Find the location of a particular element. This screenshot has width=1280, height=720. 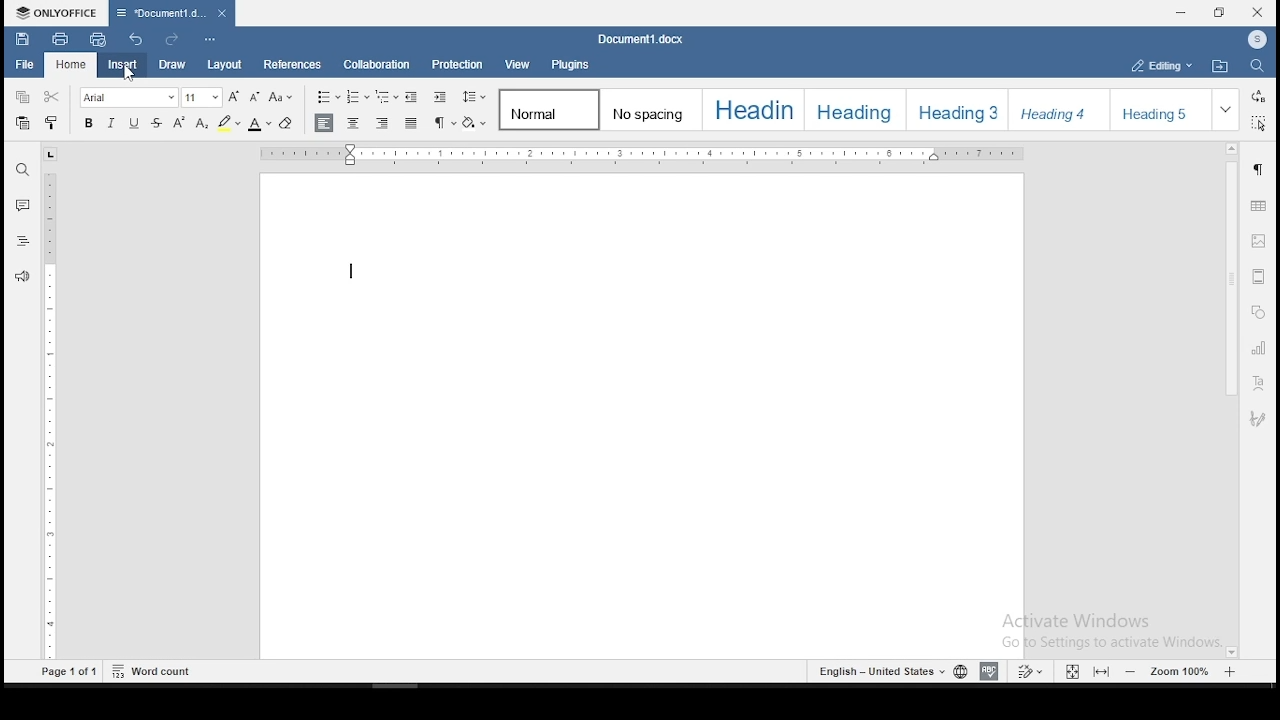

quick print is located at coordinates (98, 39).